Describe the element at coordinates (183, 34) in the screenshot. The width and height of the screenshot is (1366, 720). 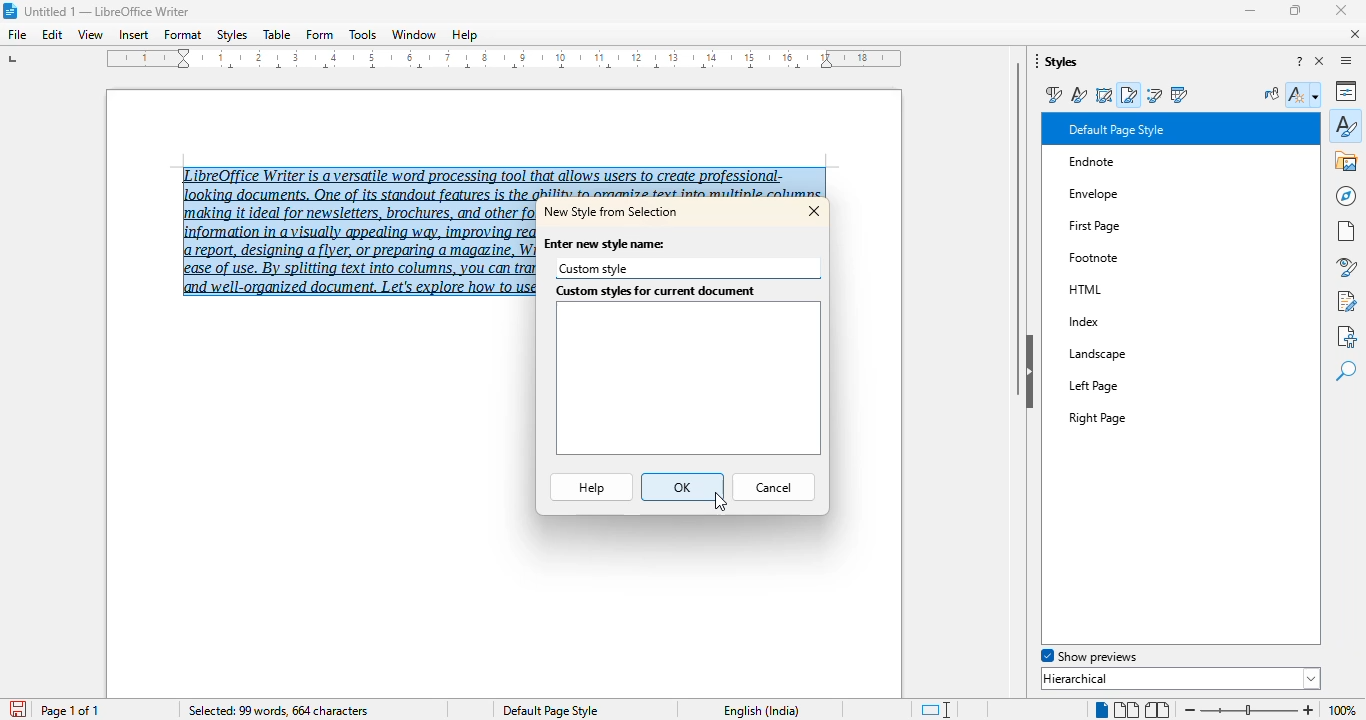
I see `format` at that location.